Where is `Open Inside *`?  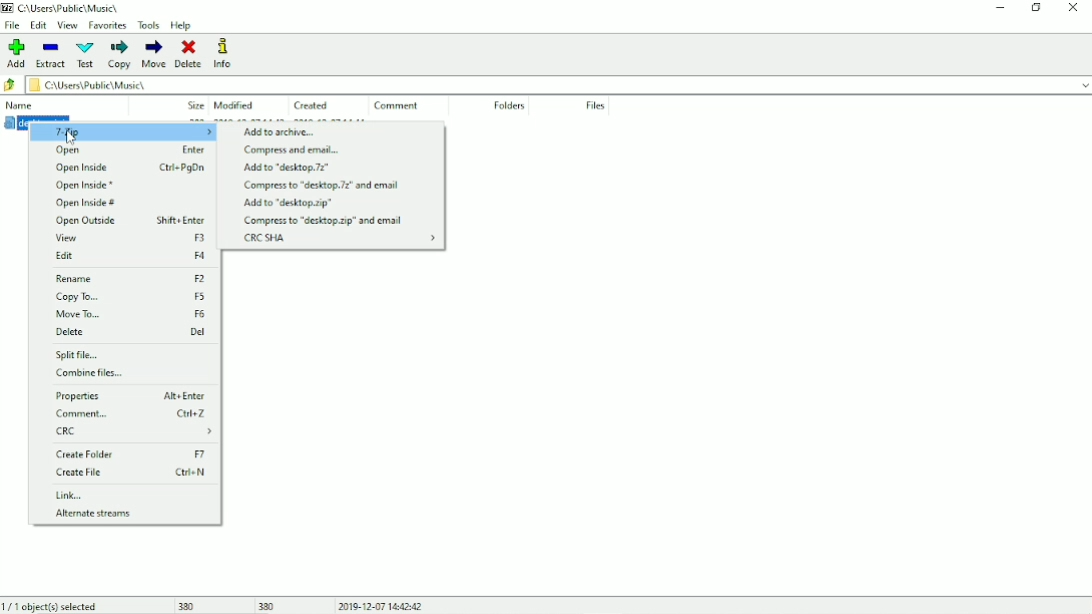
Open Inside * is located at coordinates (87, 187).